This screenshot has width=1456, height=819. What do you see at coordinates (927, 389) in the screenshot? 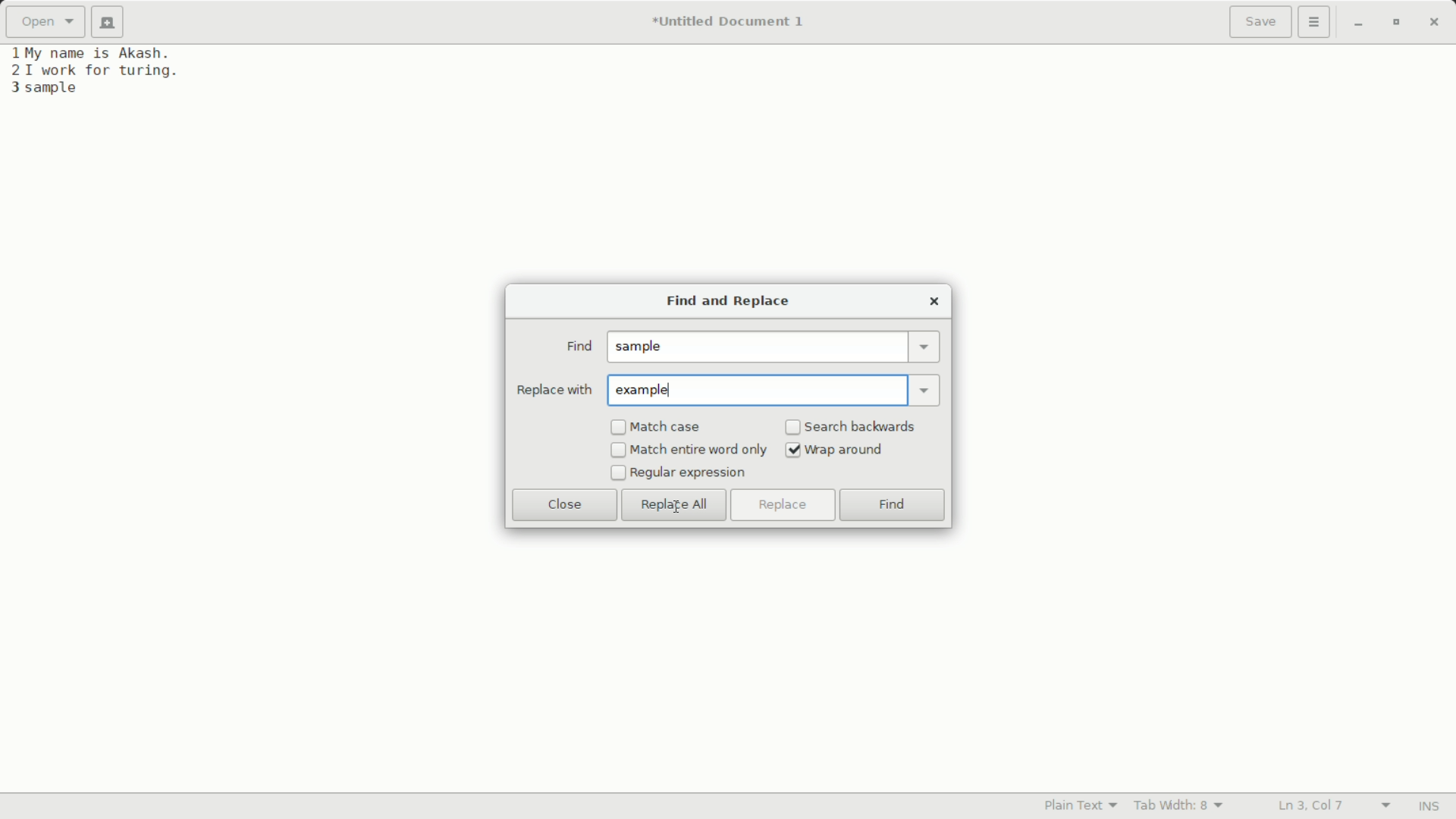
I see `dropdown` at bounding box center [927, 389].